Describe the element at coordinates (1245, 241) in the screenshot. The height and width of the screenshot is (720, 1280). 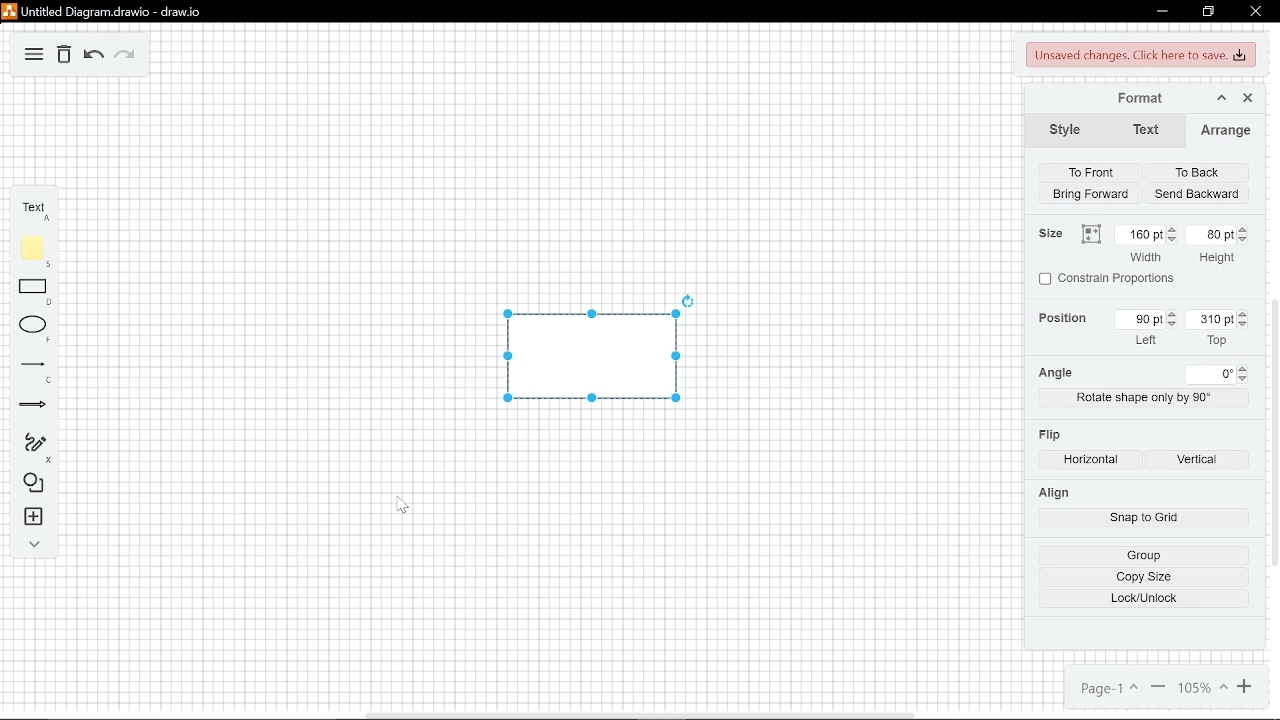
I see `Decrease height` at that location.